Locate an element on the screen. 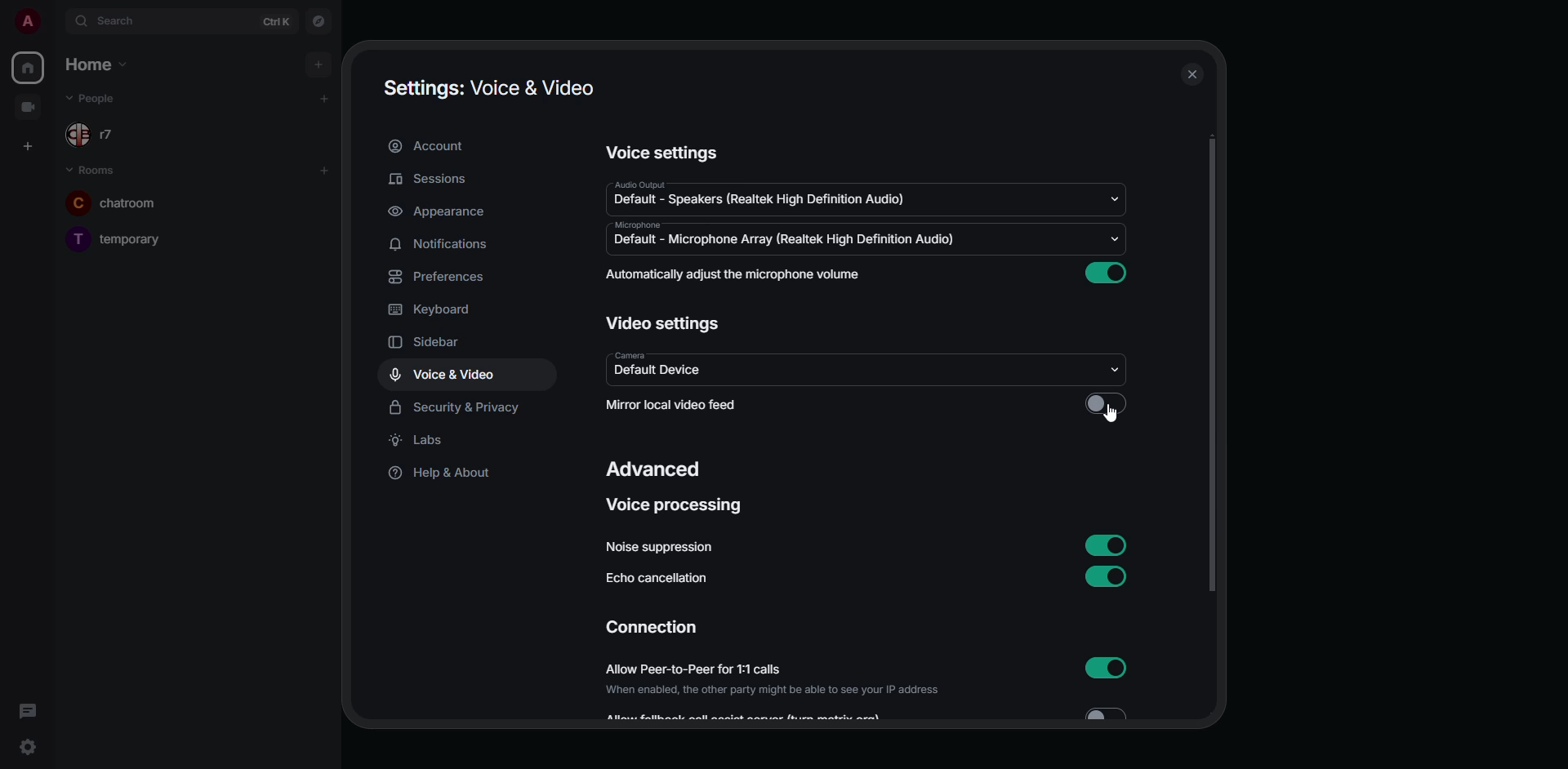 This screenshot has width=1568, height=769. video room is located at coordinates (29, 106).